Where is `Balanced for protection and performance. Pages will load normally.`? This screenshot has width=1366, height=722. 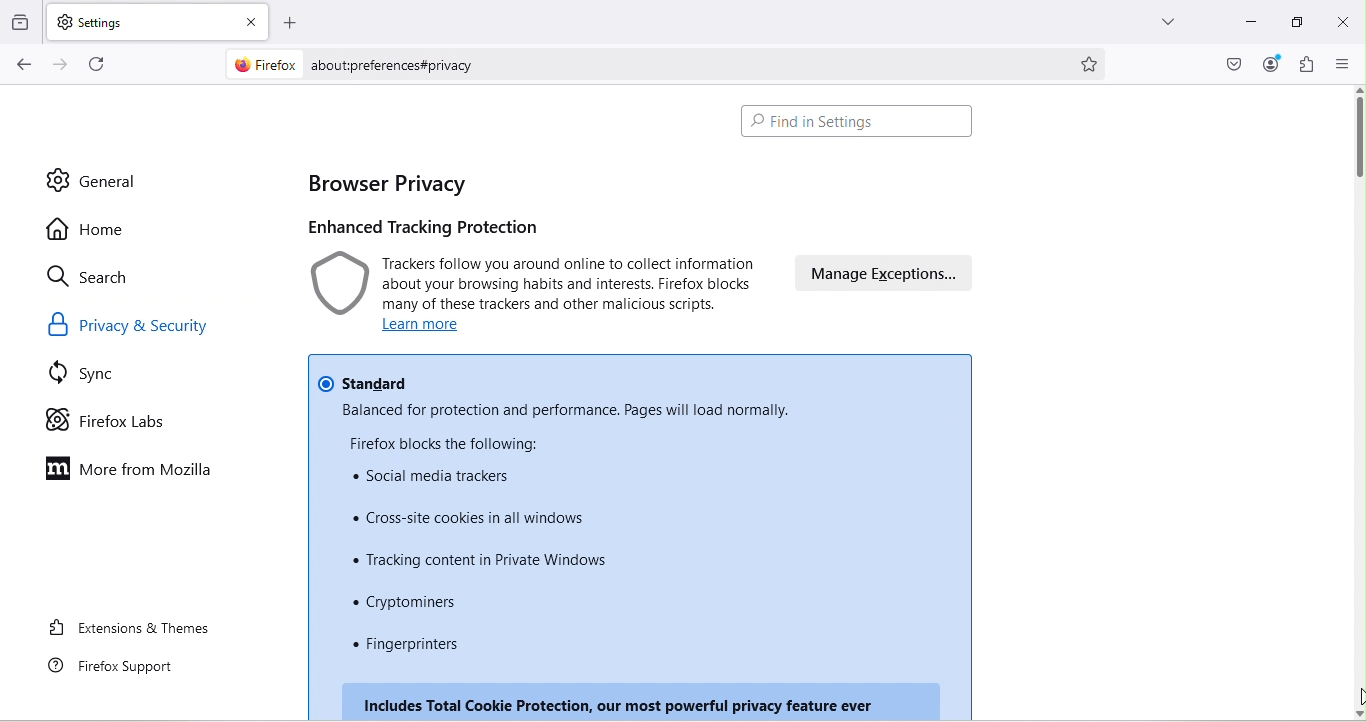
Balanced for protection and performance. Pages will load normally. is located at coordinates (565, 410).